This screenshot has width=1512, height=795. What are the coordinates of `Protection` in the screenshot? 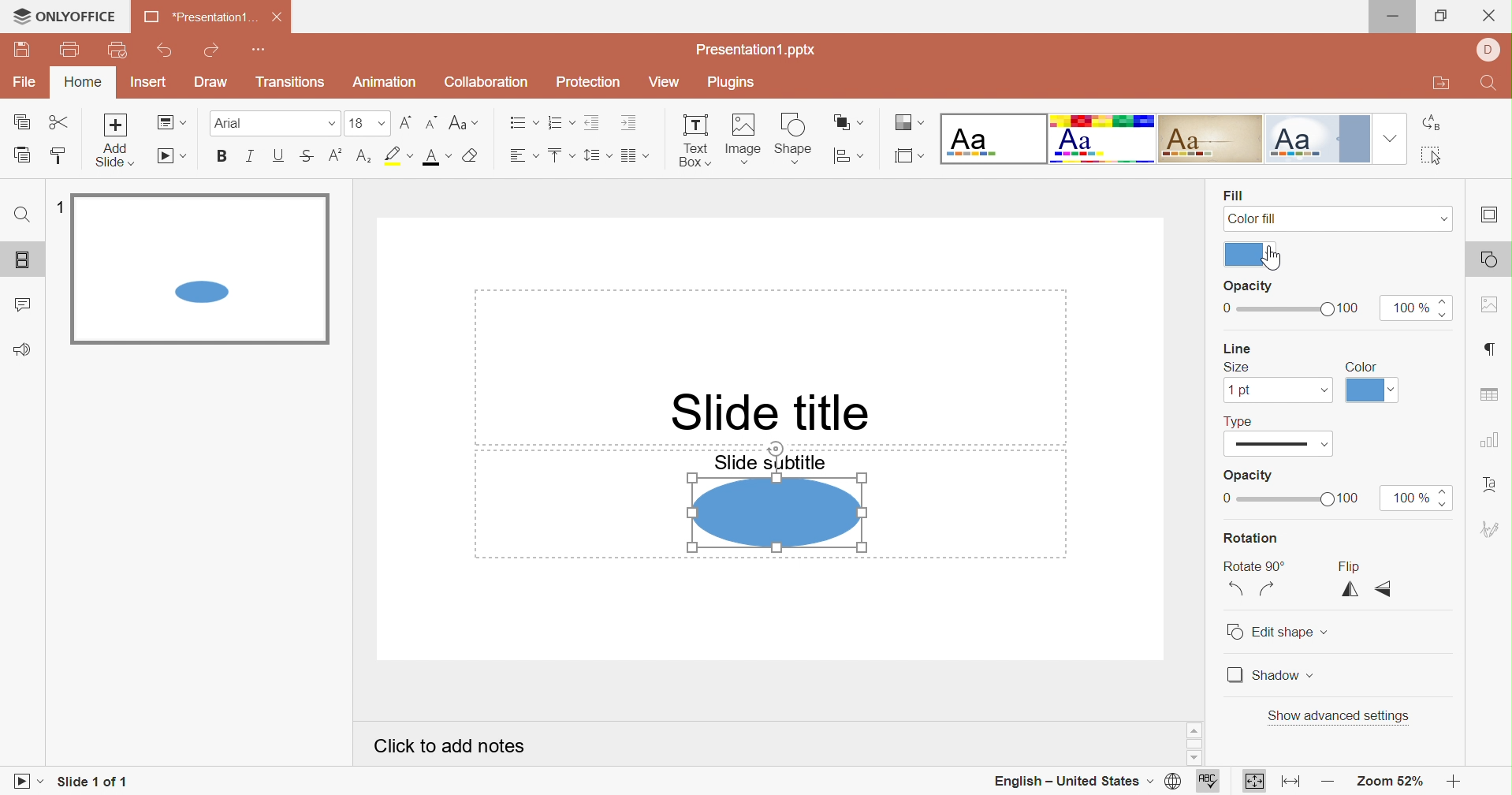 It's located at (590, 83).